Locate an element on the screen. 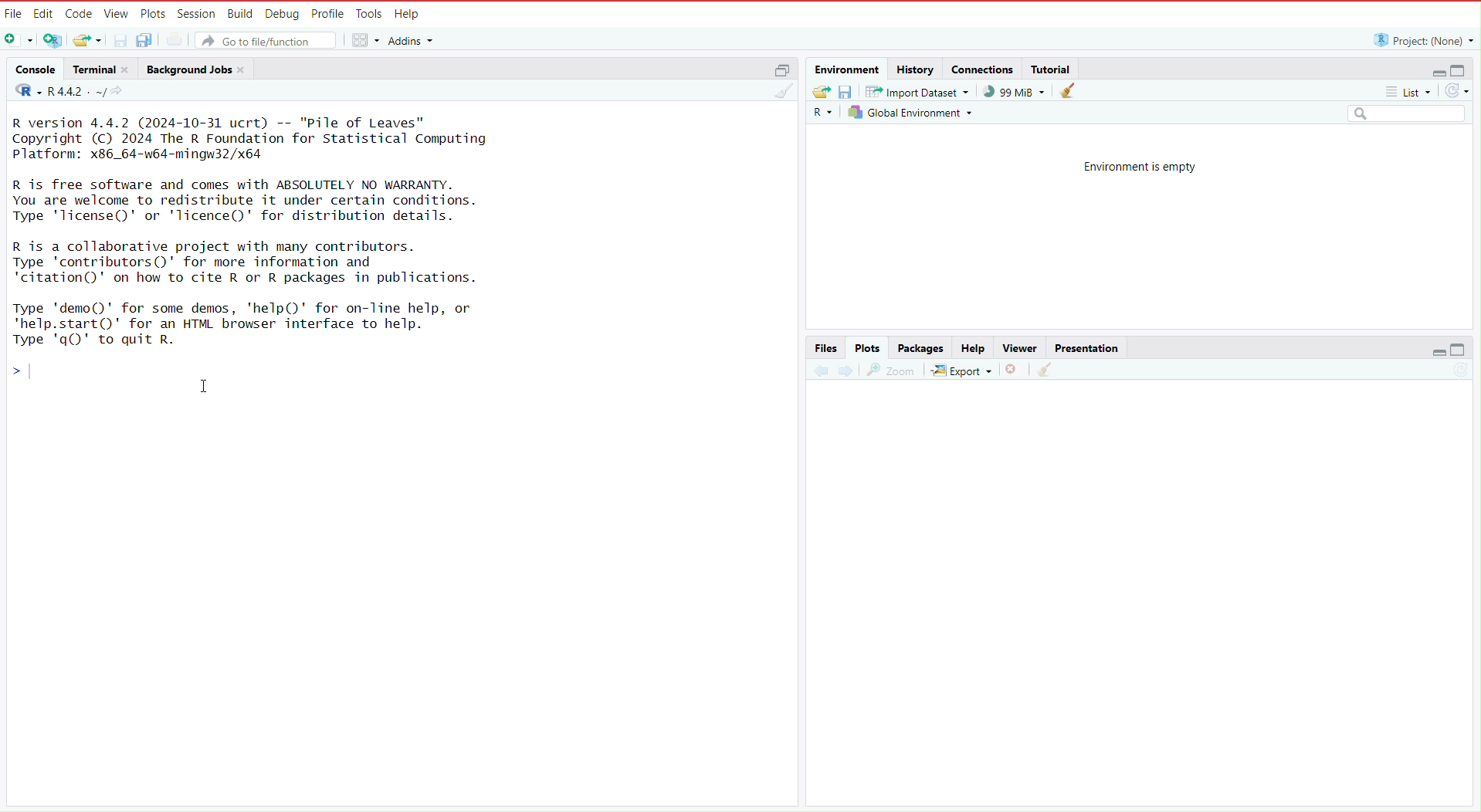  tutorial is located at coordinates (1051, 66).